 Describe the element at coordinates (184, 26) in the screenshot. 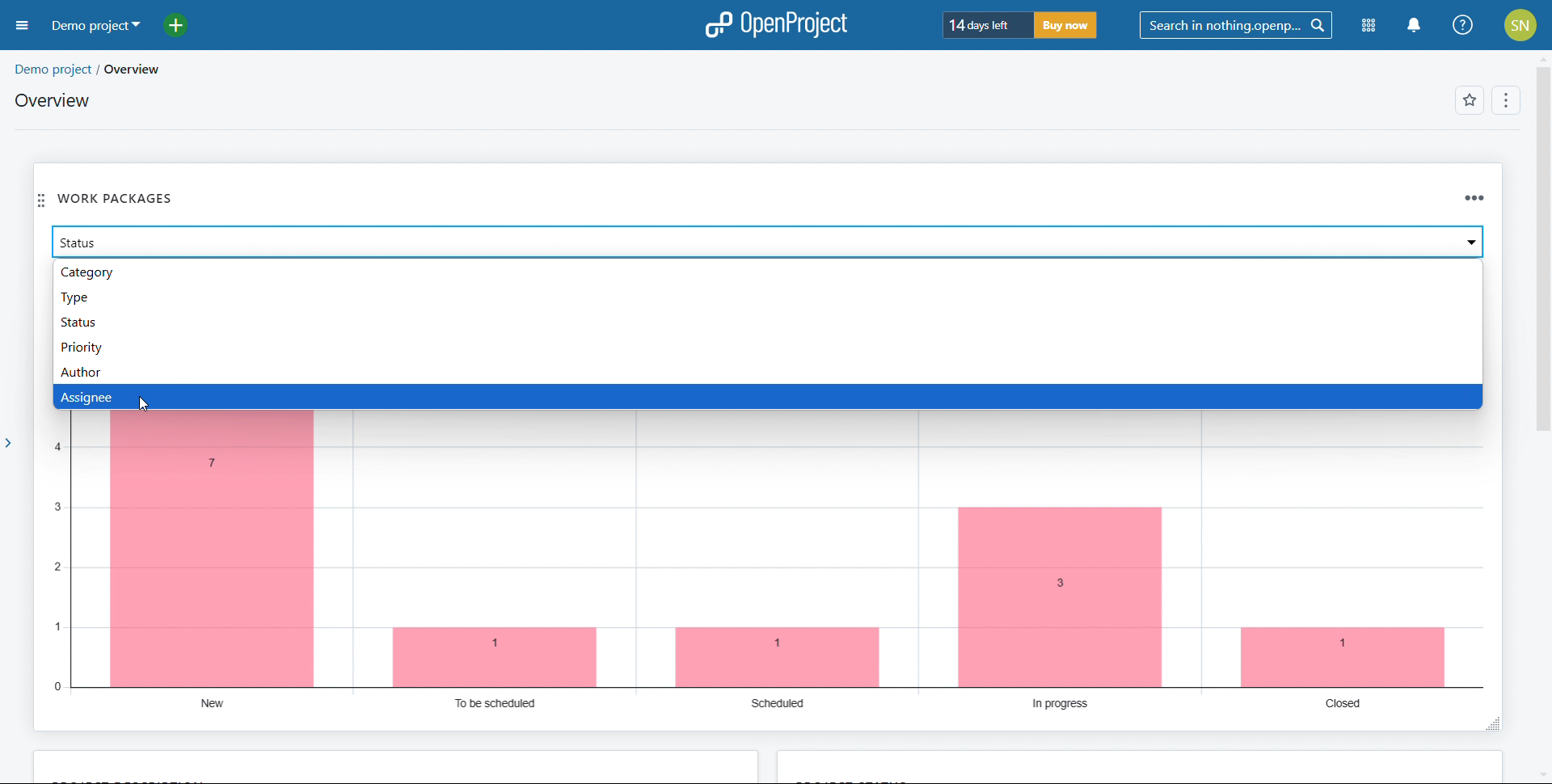

I see `add project` at that location.